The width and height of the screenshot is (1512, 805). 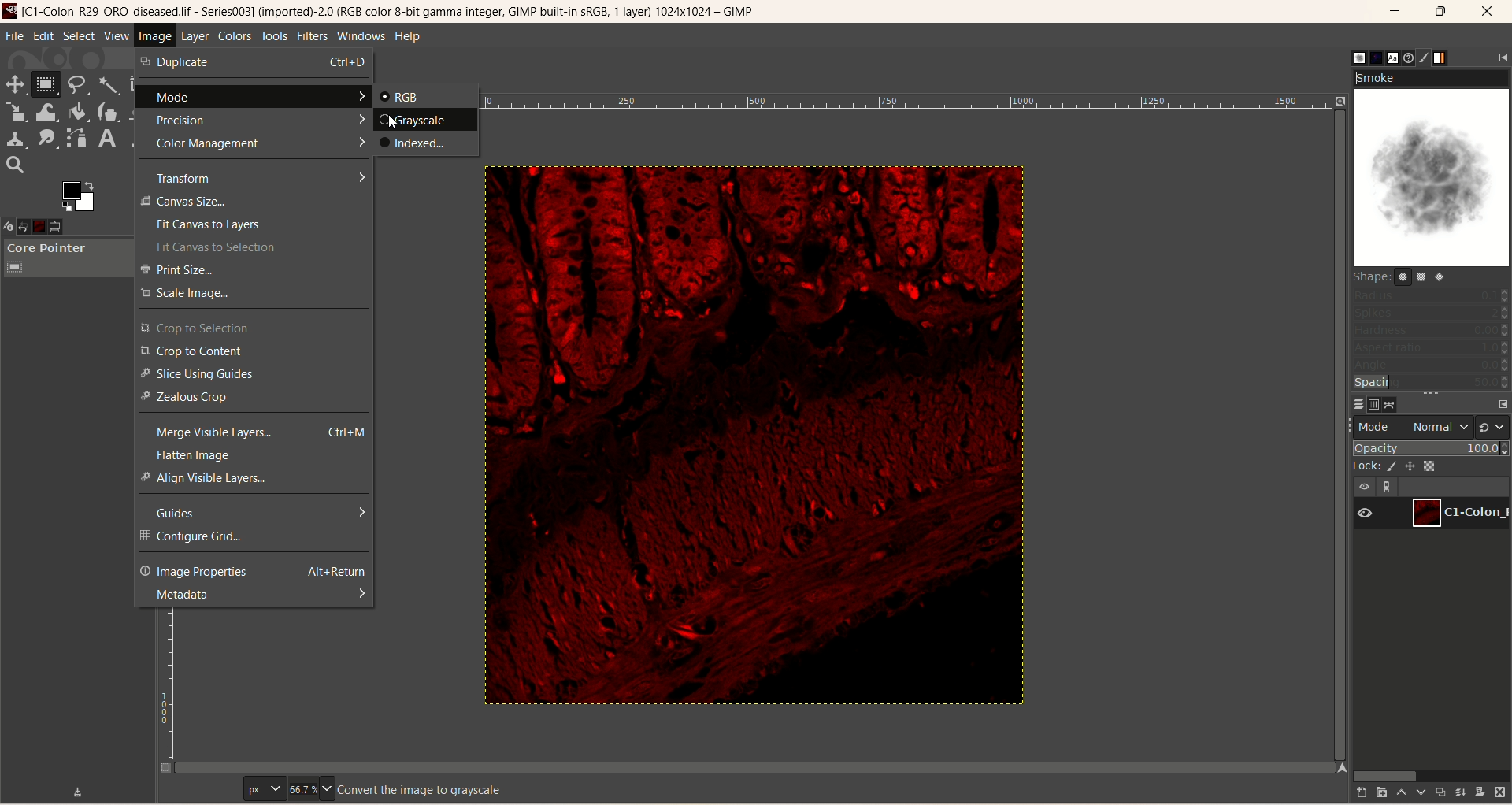 I want to click on configure this tab, so click(x=146, y=226).